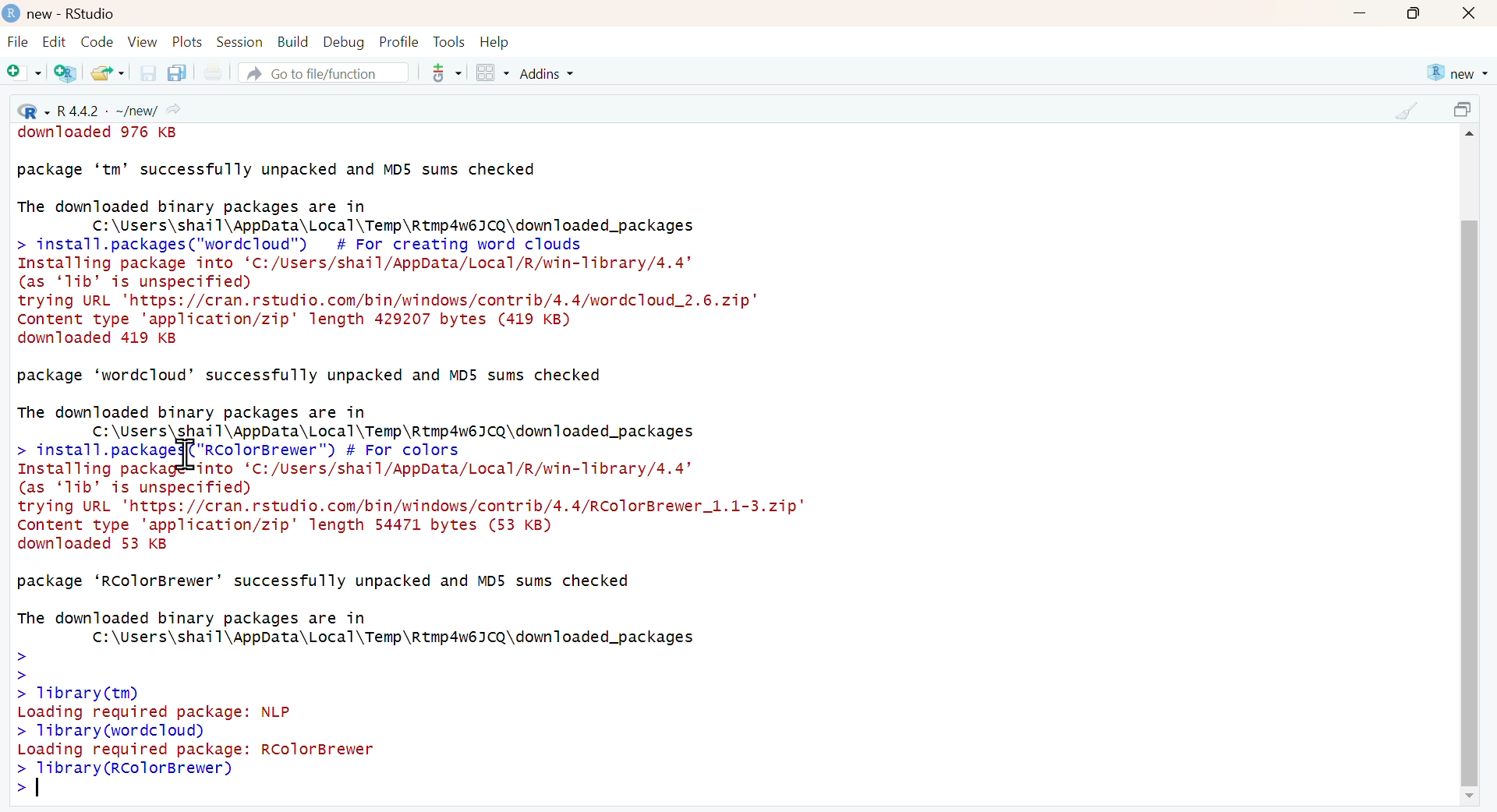  What do you see at coordinates (1474, 135) in the screenshot?
I see `scroll up` at bounding box center [1474, 135].